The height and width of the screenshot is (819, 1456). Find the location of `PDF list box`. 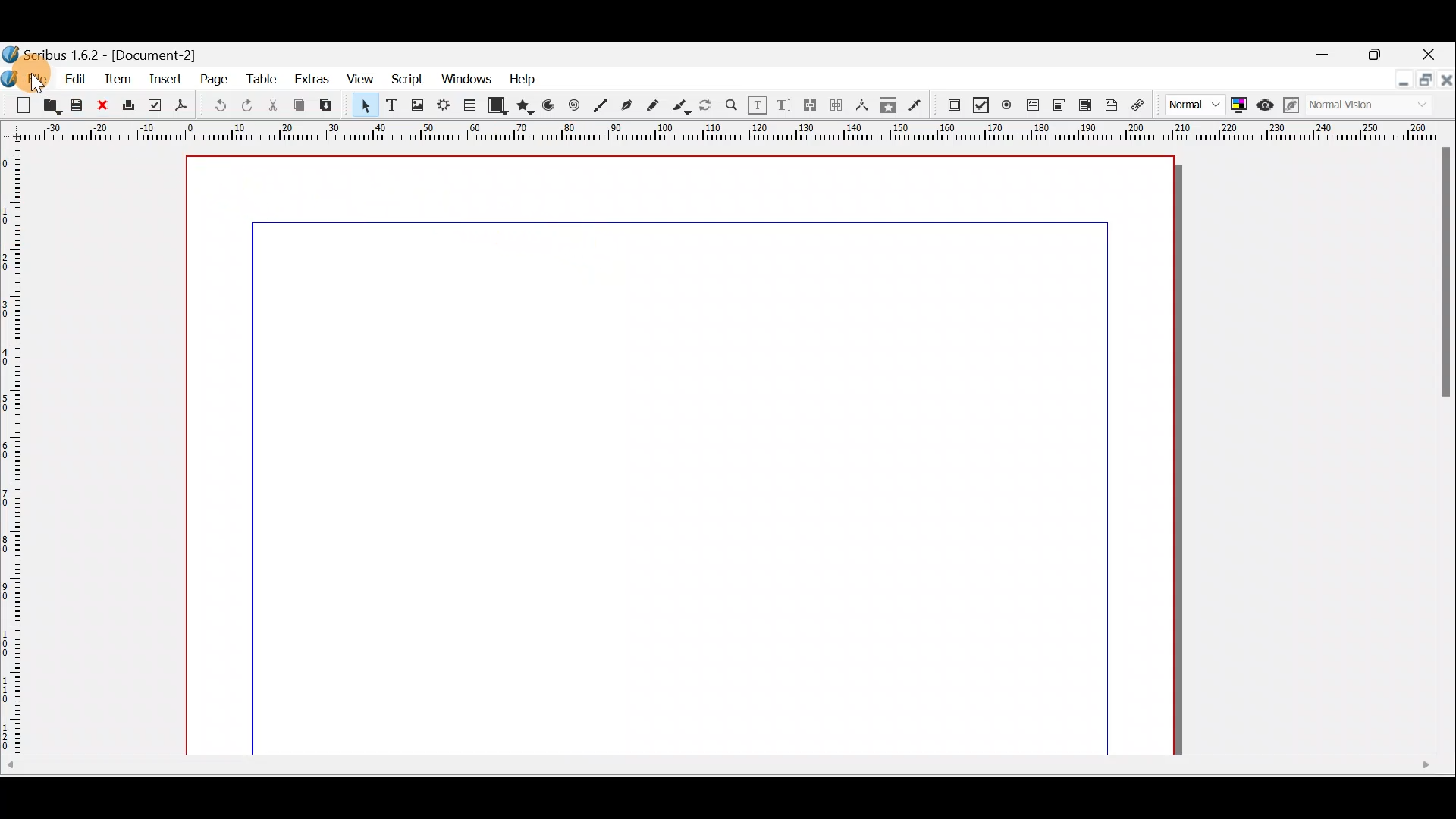

PDF list box is located at coordinates (1082, 107).